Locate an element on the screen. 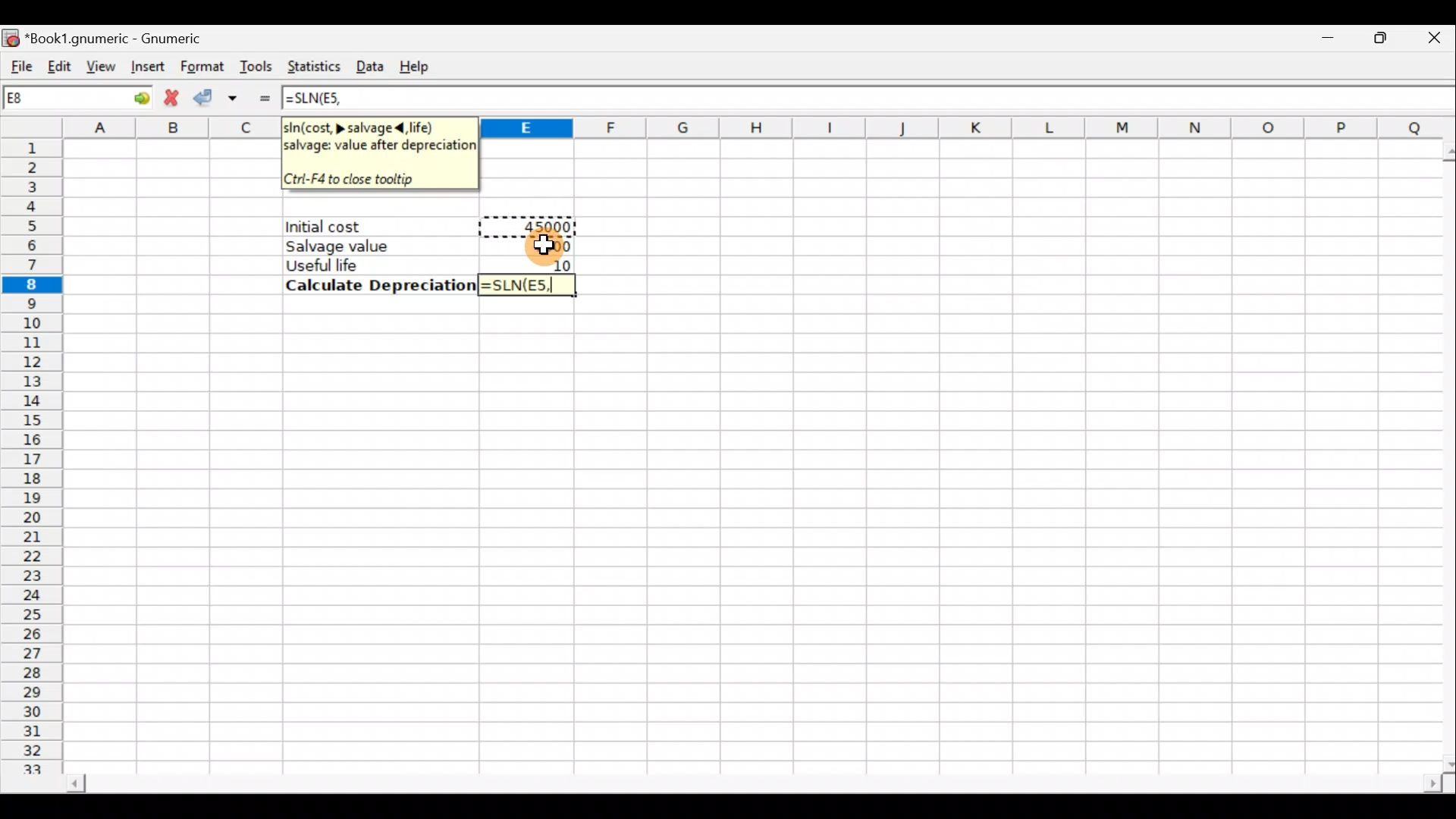 The height and width of the screenshot is (819, 1456). Cursor hovering on cell E6 is located at coordinates (554, 247).